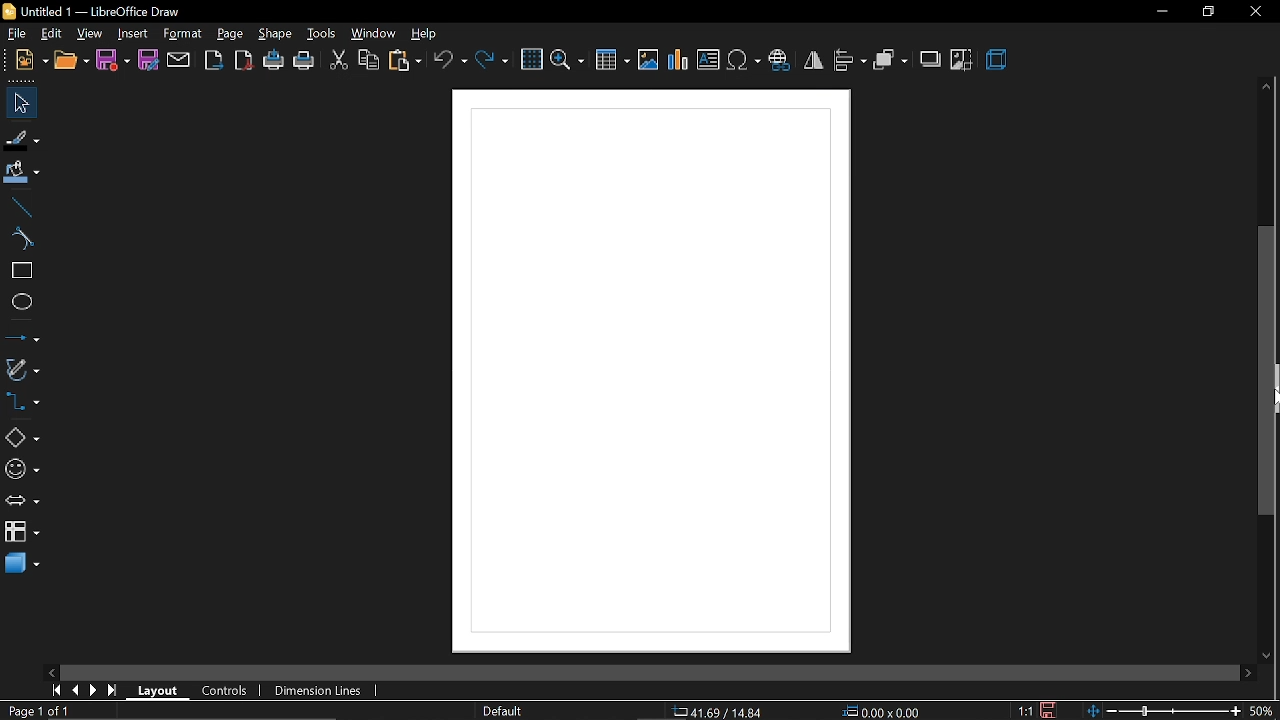  What do you see at coordinates (1272, 390) in the screenshot?
I see `cursor` at bounding box center [1272, 390].